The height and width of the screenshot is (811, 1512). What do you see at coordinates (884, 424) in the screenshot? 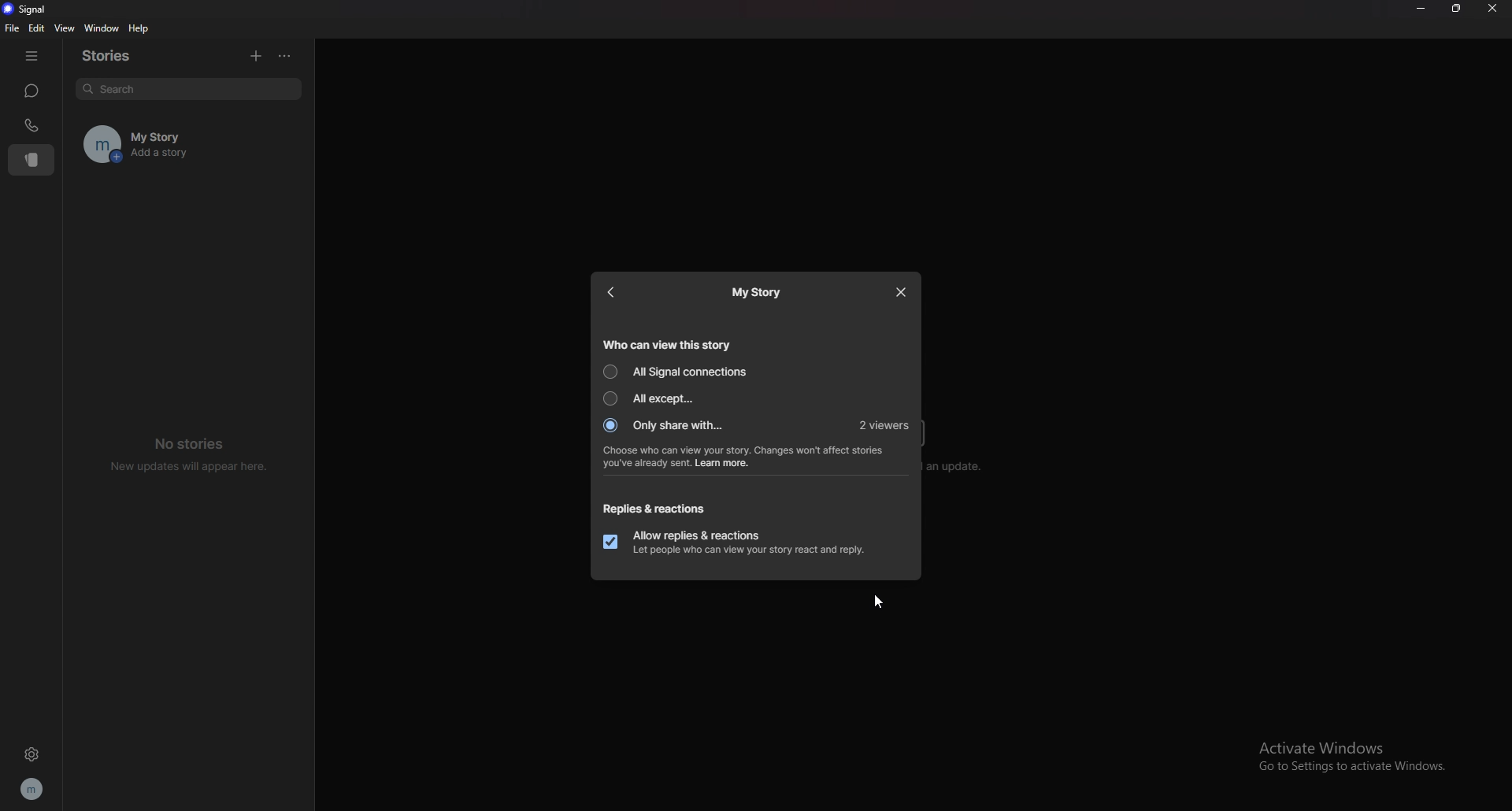
I see `2 viewers` at bounding box center [884, 424].